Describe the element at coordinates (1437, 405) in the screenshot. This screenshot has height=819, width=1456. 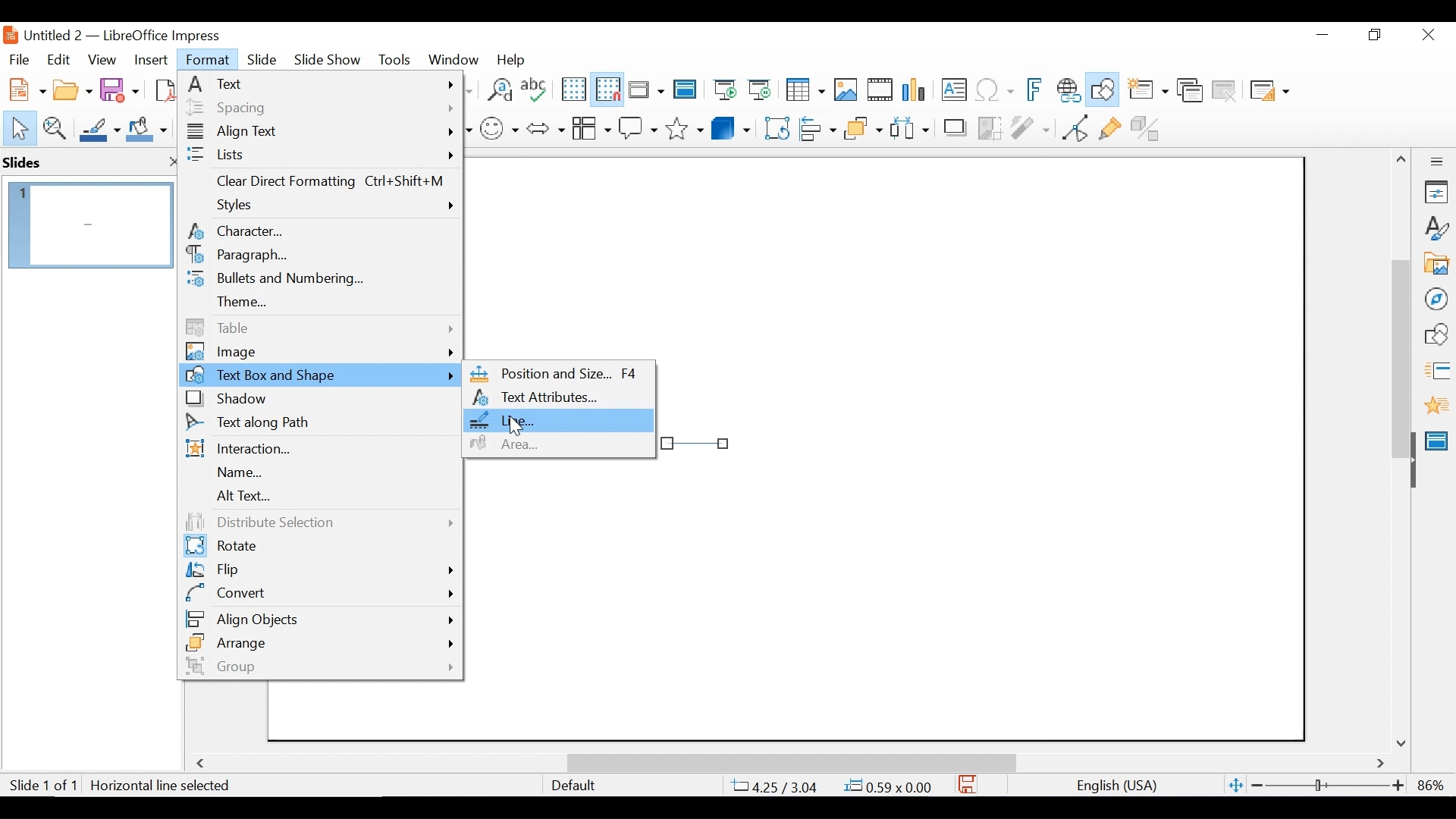
I see `Animation` at that location.